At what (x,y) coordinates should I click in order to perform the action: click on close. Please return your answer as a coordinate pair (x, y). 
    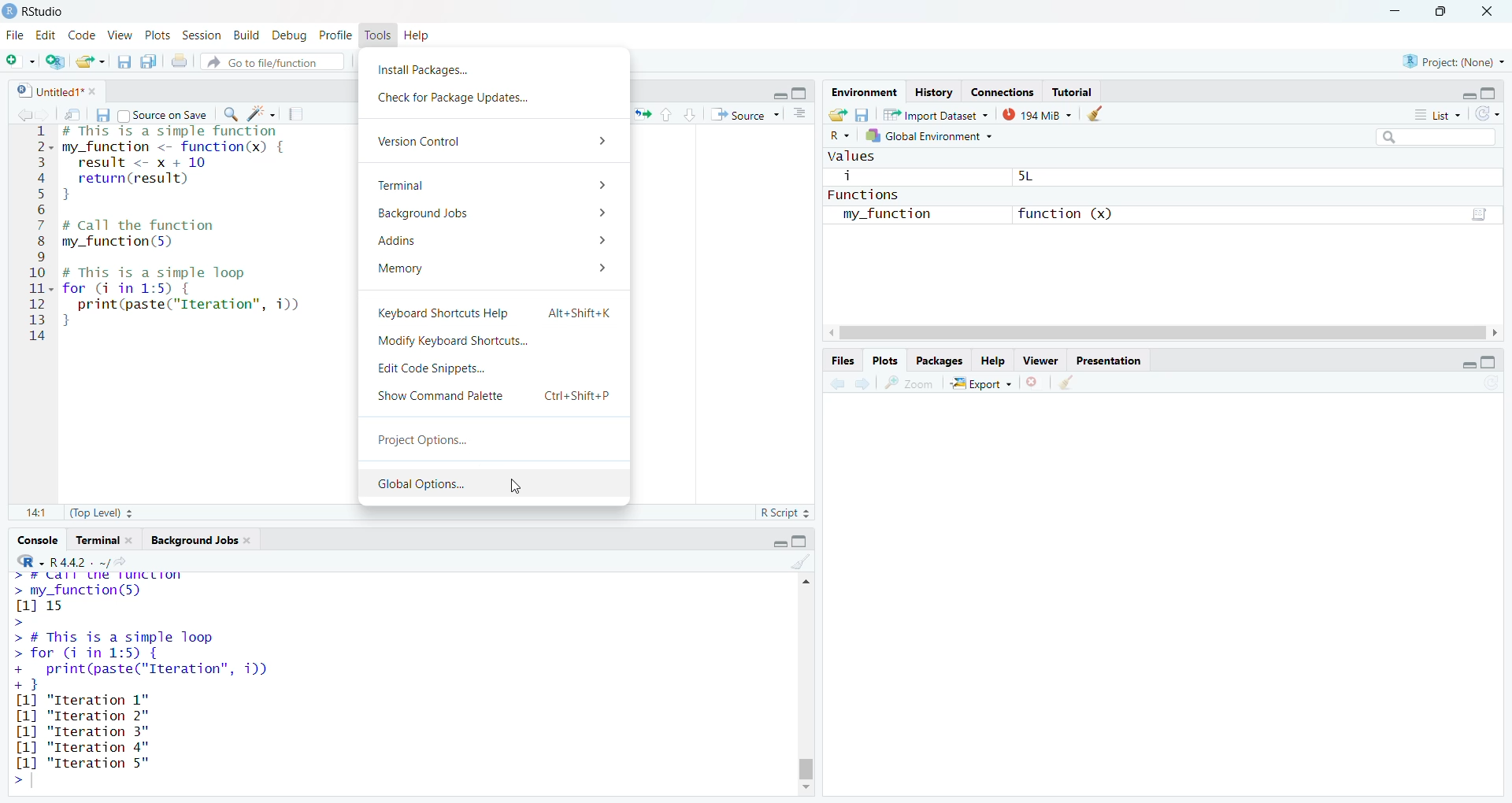
    Looking at the image, I should click on (1492, 9).